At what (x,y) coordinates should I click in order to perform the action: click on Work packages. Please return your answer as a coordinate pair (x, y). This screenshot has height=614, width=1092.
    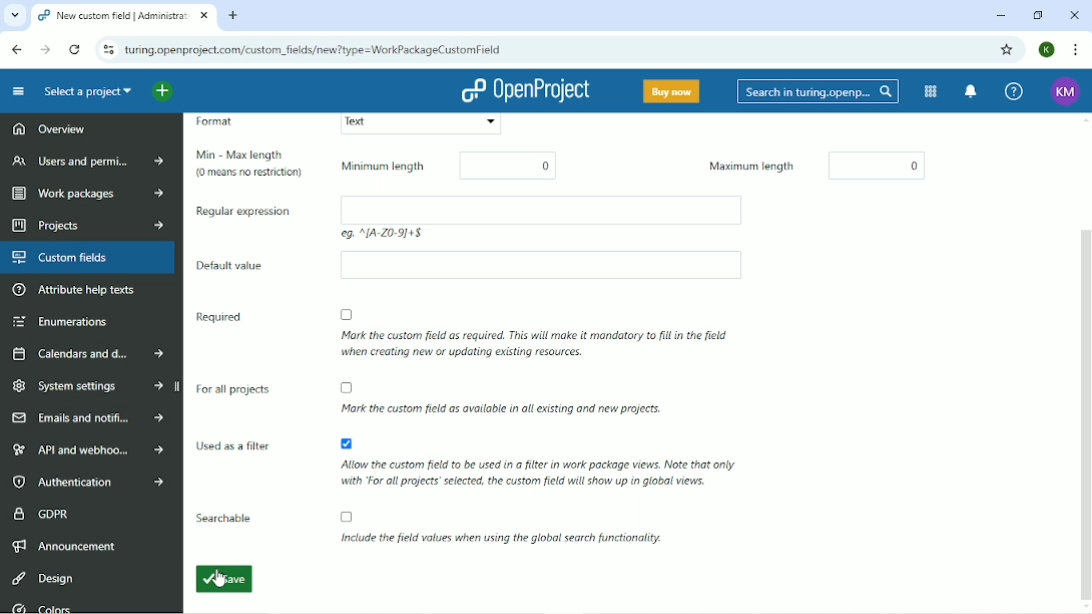
    Looking at the image, I should click on (85, 195).